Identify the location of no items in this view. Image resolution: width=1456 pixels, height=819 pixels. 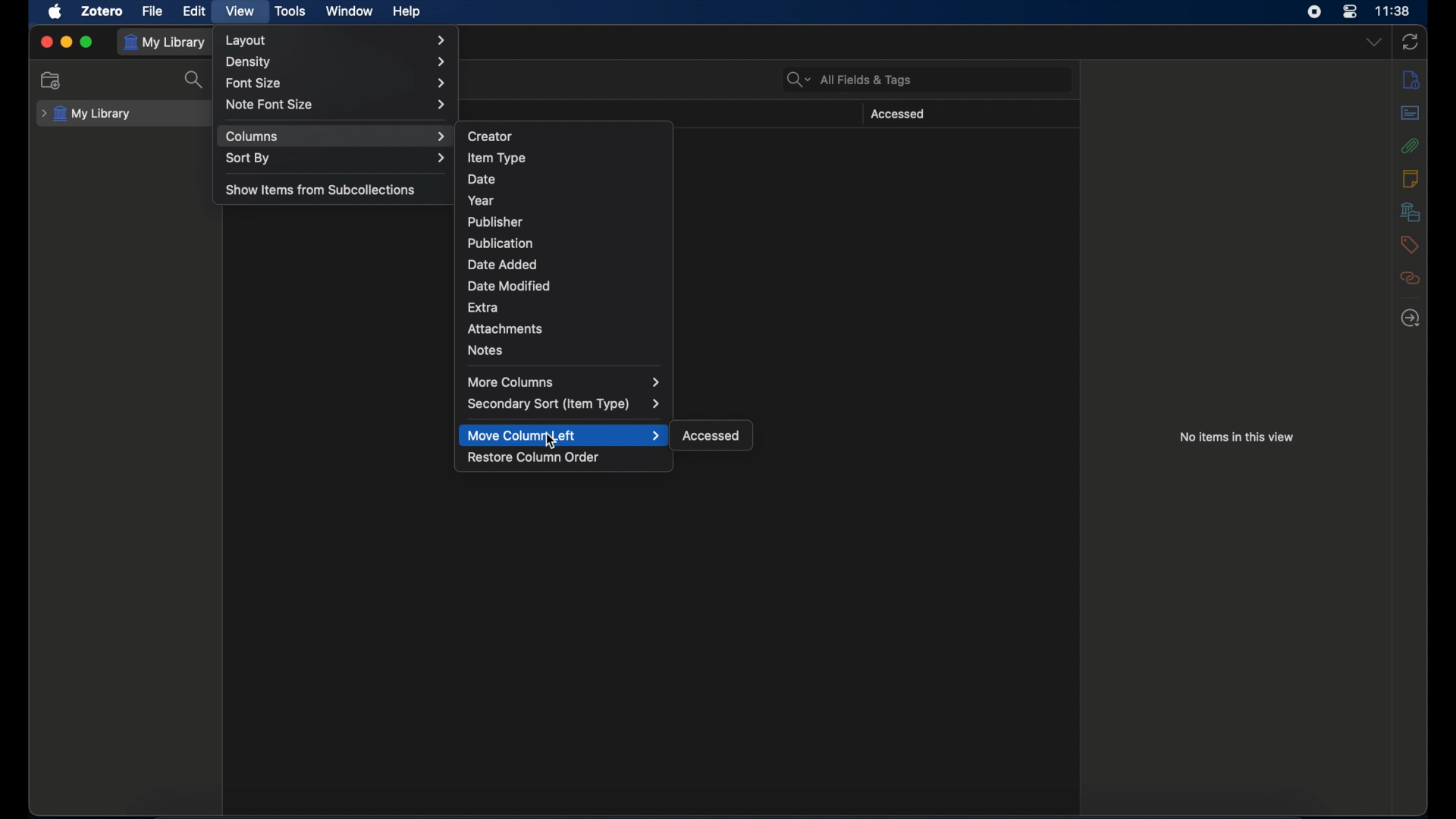
(1238, 437).